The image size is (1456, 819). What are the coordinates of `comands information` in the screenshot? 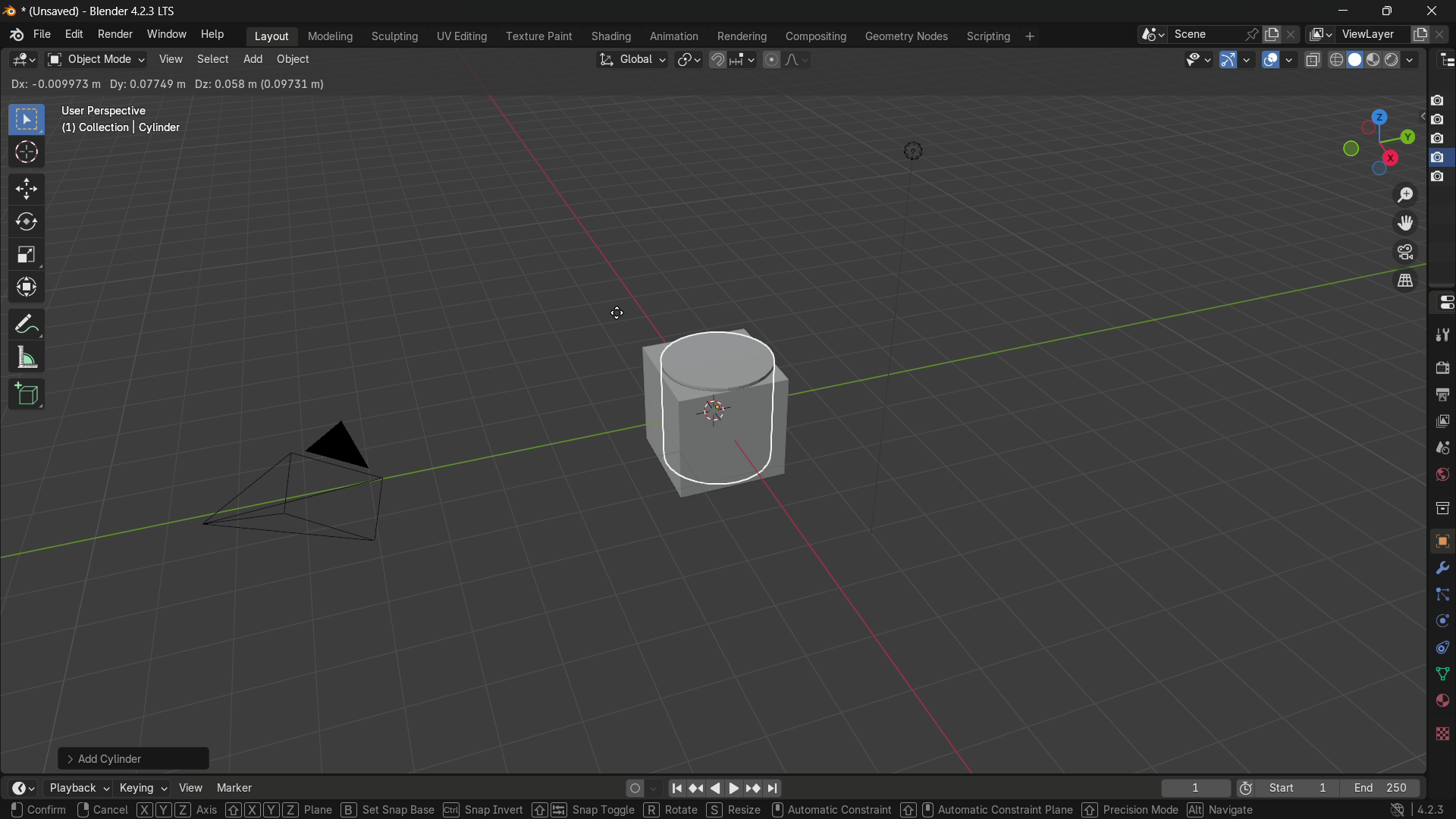 It's located at (632, 810).